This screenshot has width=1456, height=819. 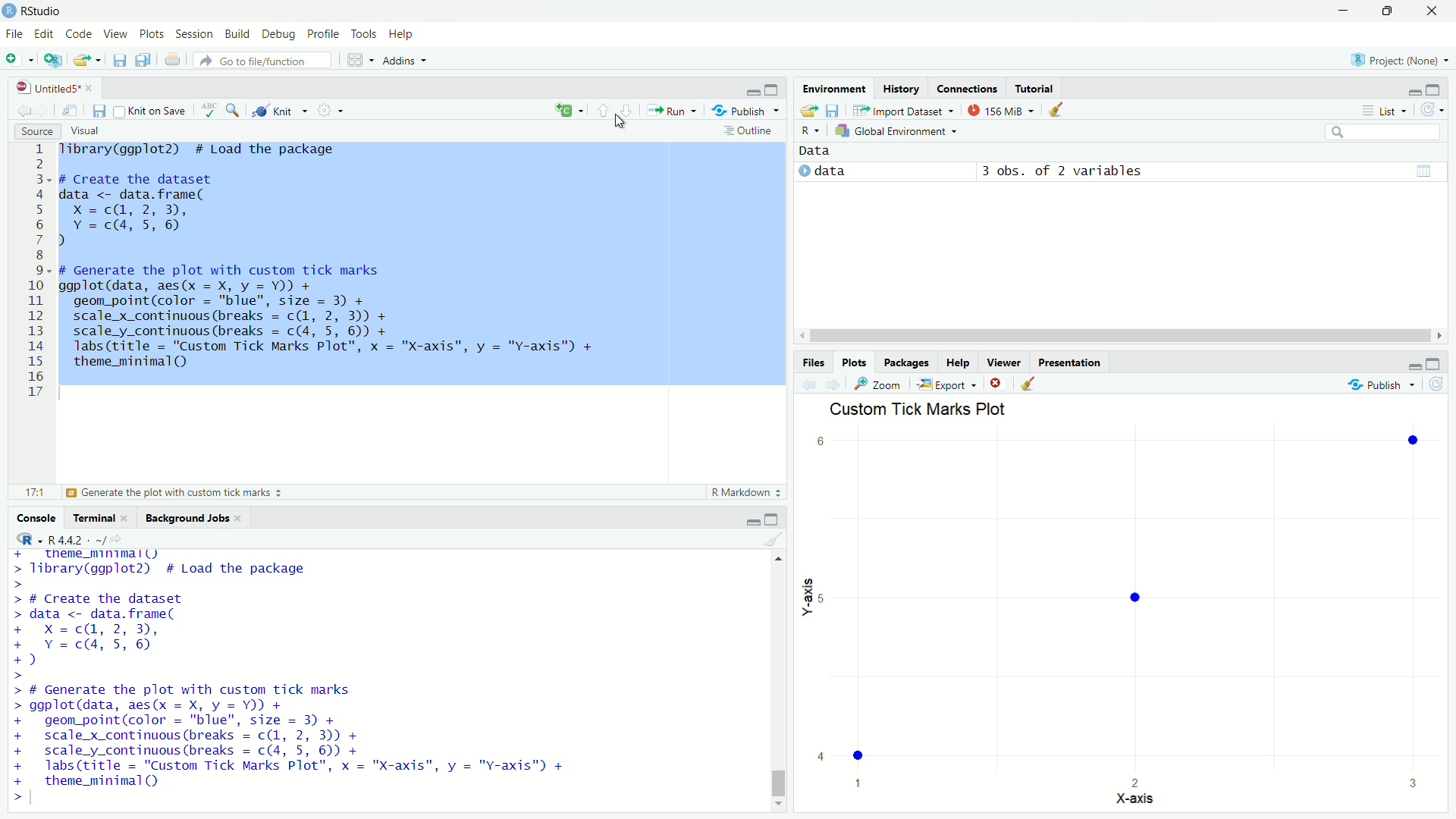 What do you see at coordinates (676, 111) in the screenshot?
I see `run the current line or selection` at bounding box center [676, 111].